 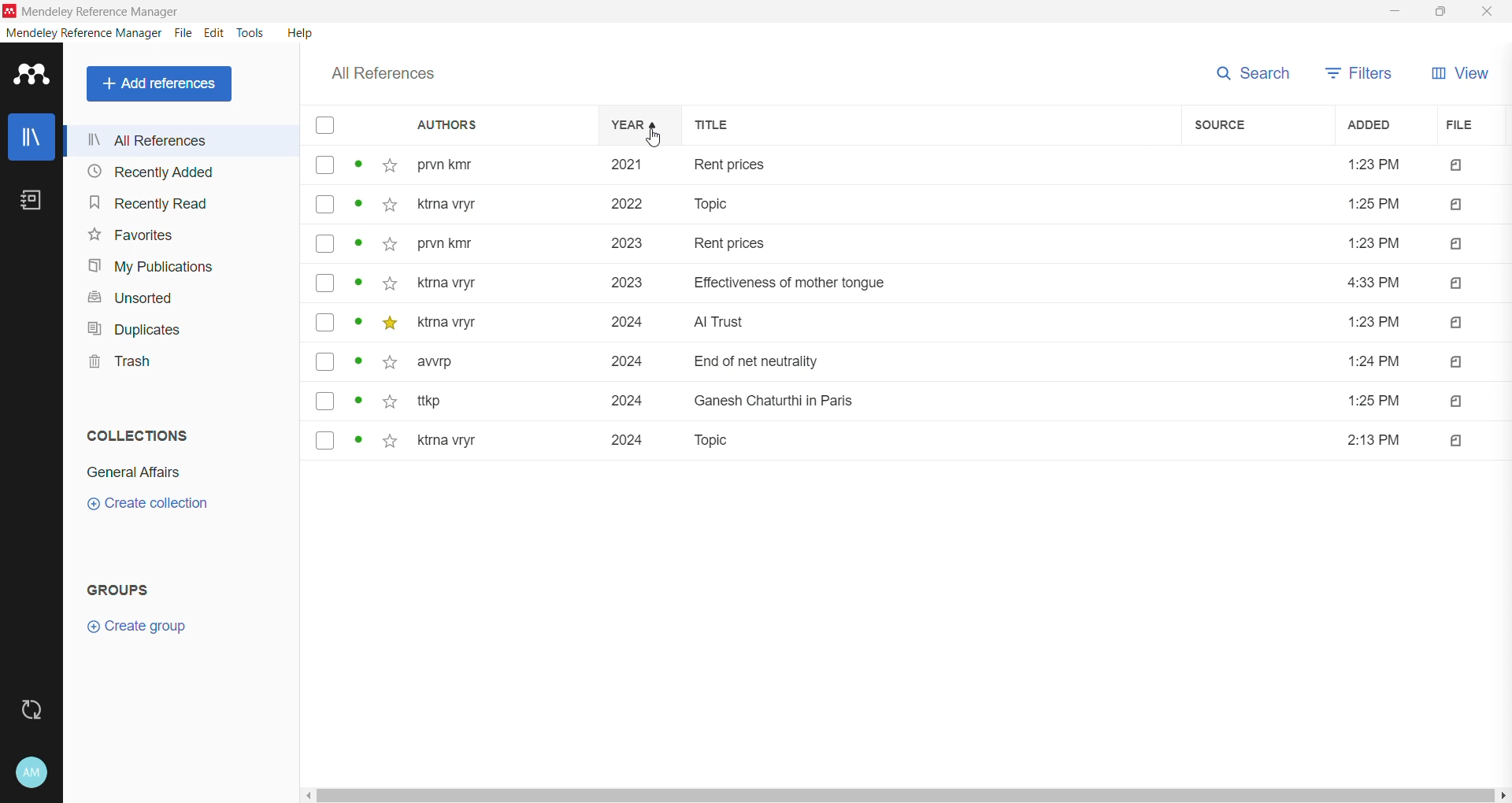 I want to click on select, so click(x=324, y=204).